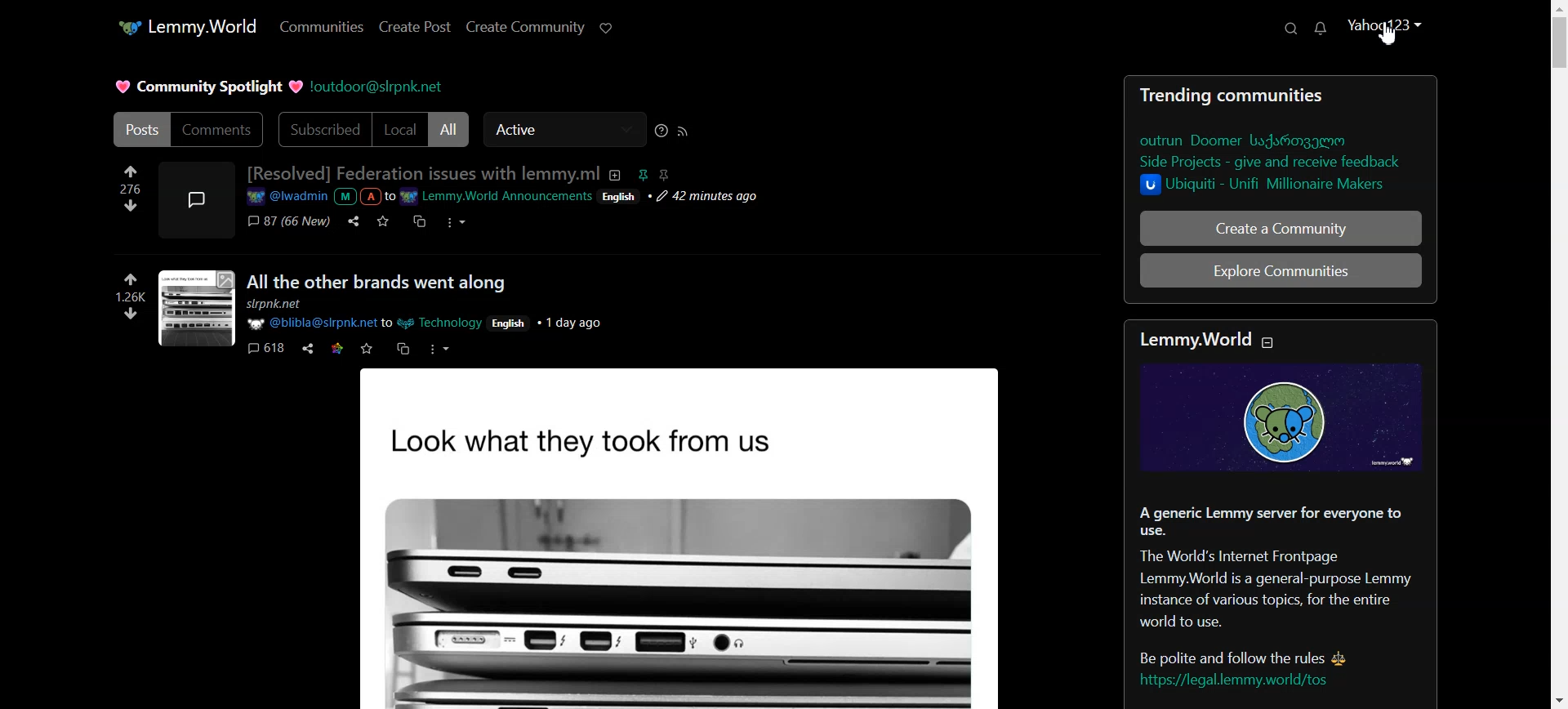  Describe the element at coordinates (336, 349) in the screenshot. I see `link` at that location.